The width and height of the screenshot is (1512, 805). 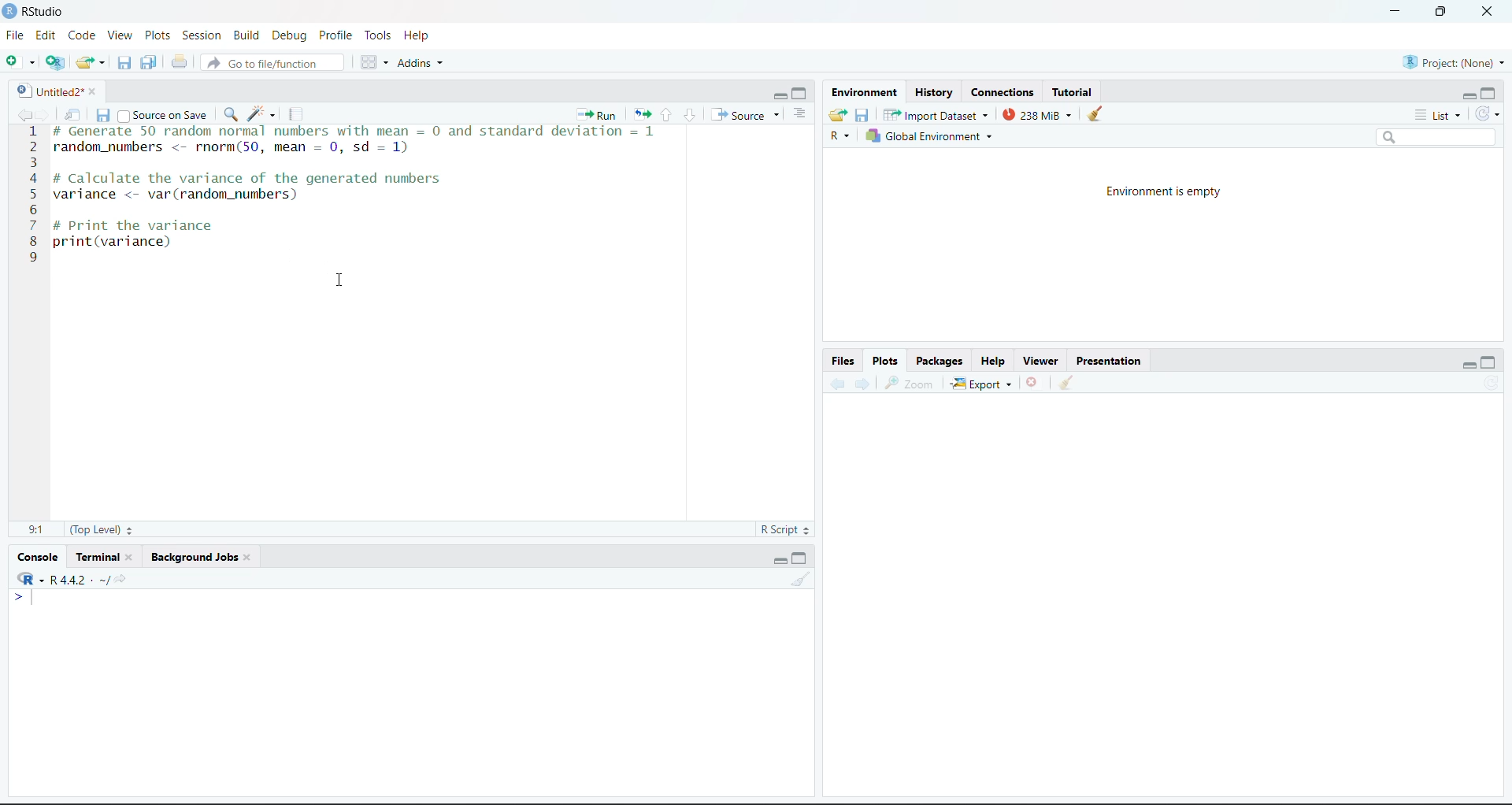 I want to click on Help, so click(x=992, y=361).